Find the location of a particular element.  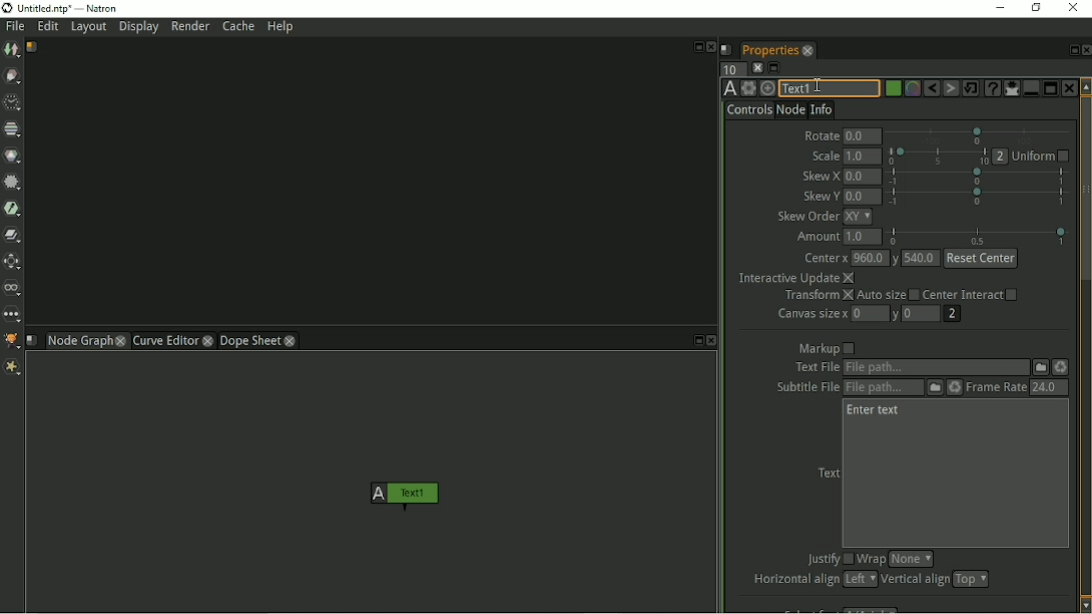

selection bar is located at coordinates (977, 176).